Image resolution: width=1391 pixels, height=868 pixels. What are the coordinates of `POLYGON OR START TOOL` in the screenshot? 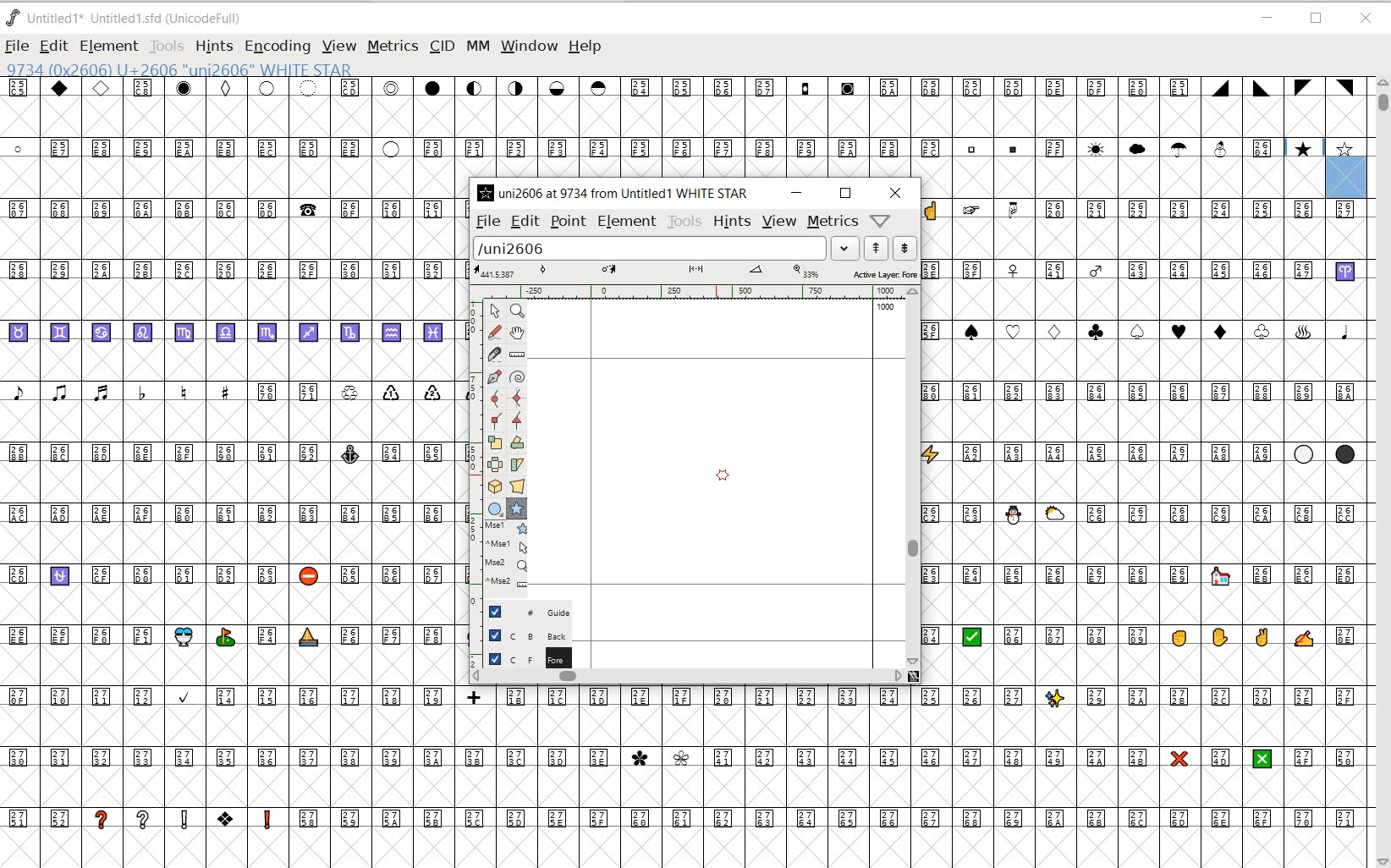 It's located at (723, 477).